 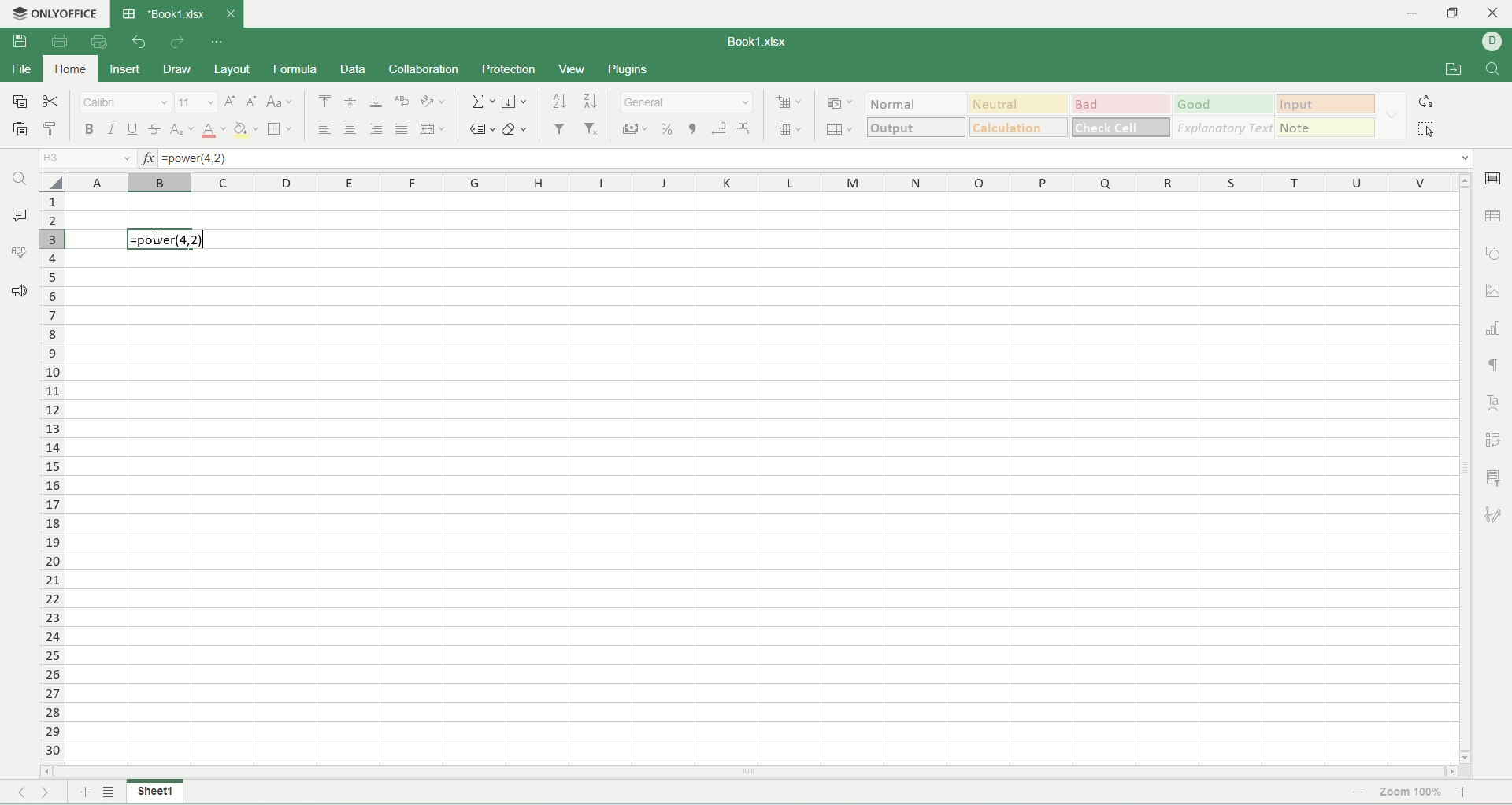 I want to click on subscript, so click(x=182, y=131).